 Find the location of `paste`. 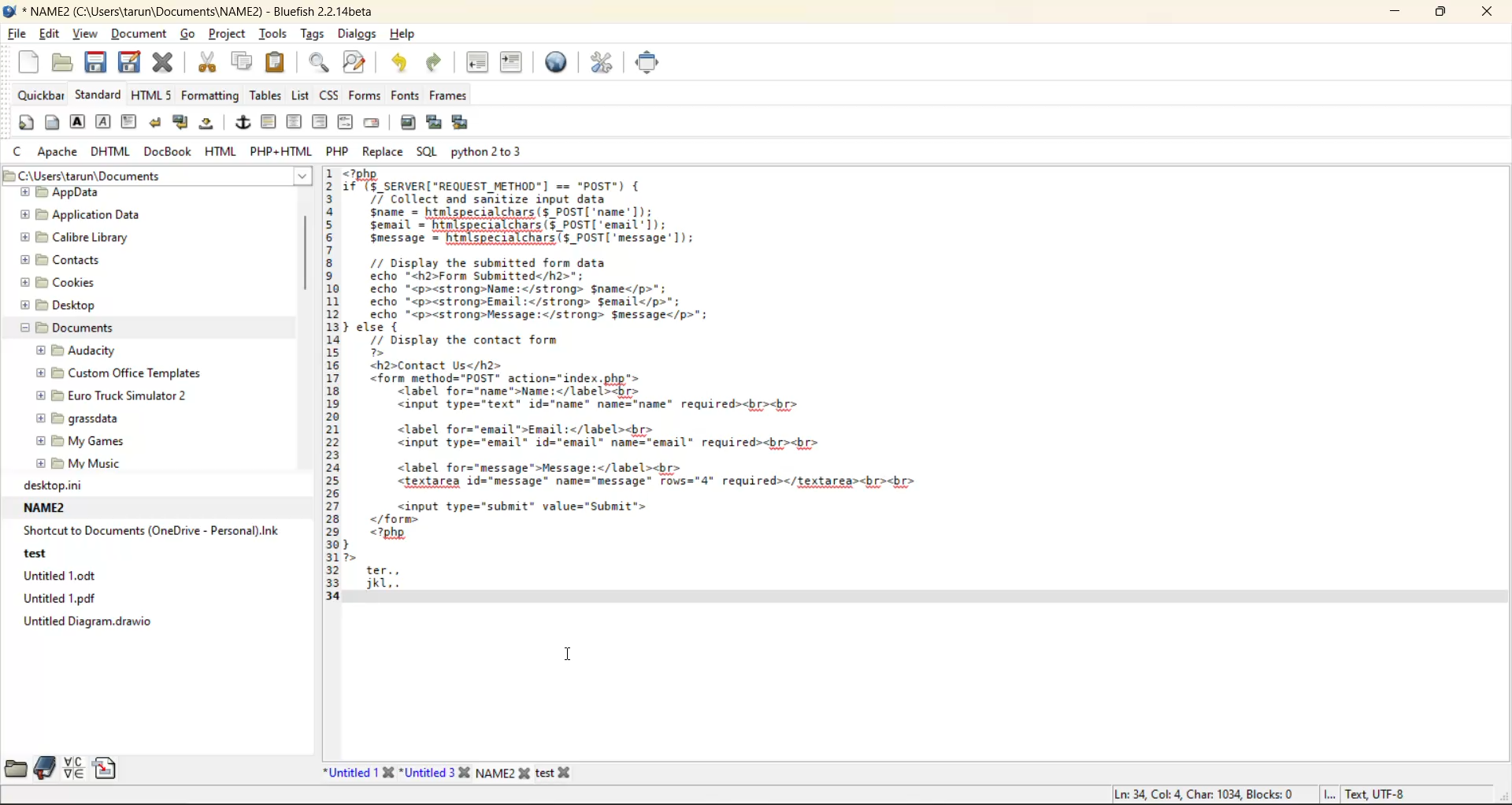

paste is located at coordinates (279, 65).